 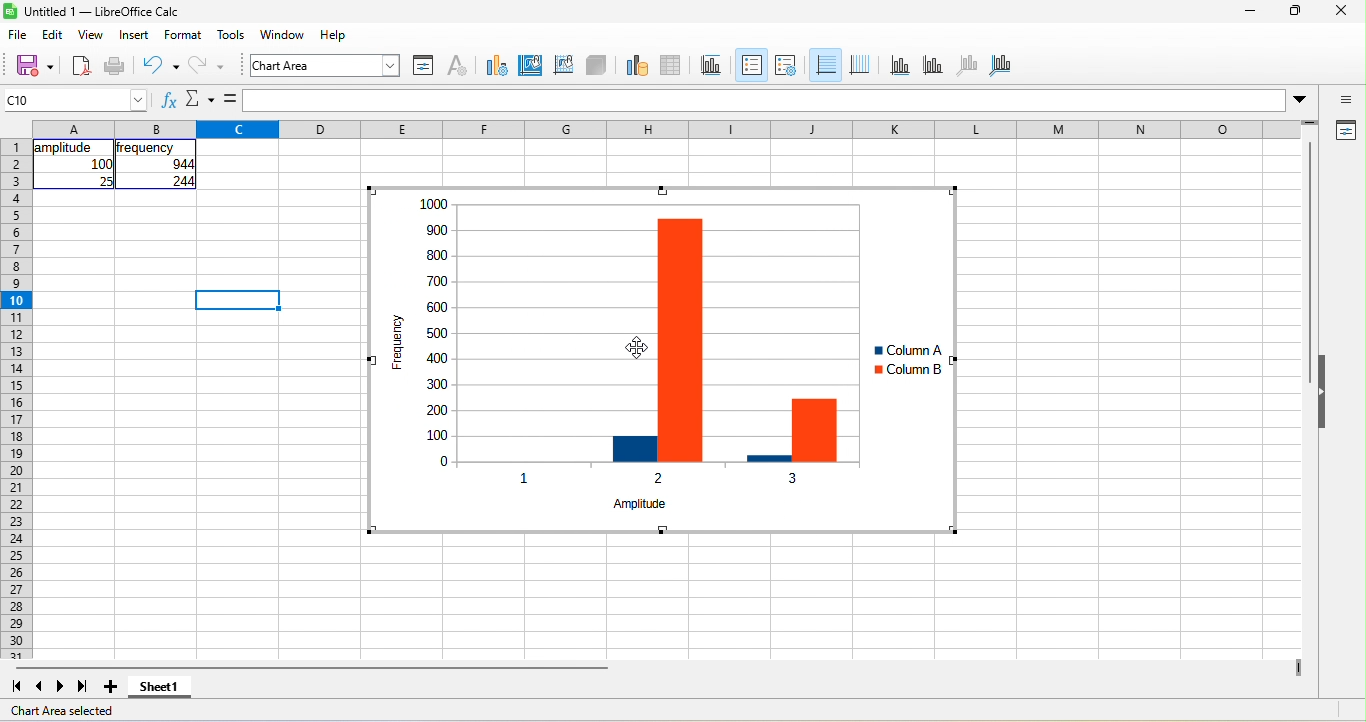 I want to click on font name, so click(x=325, y=65).